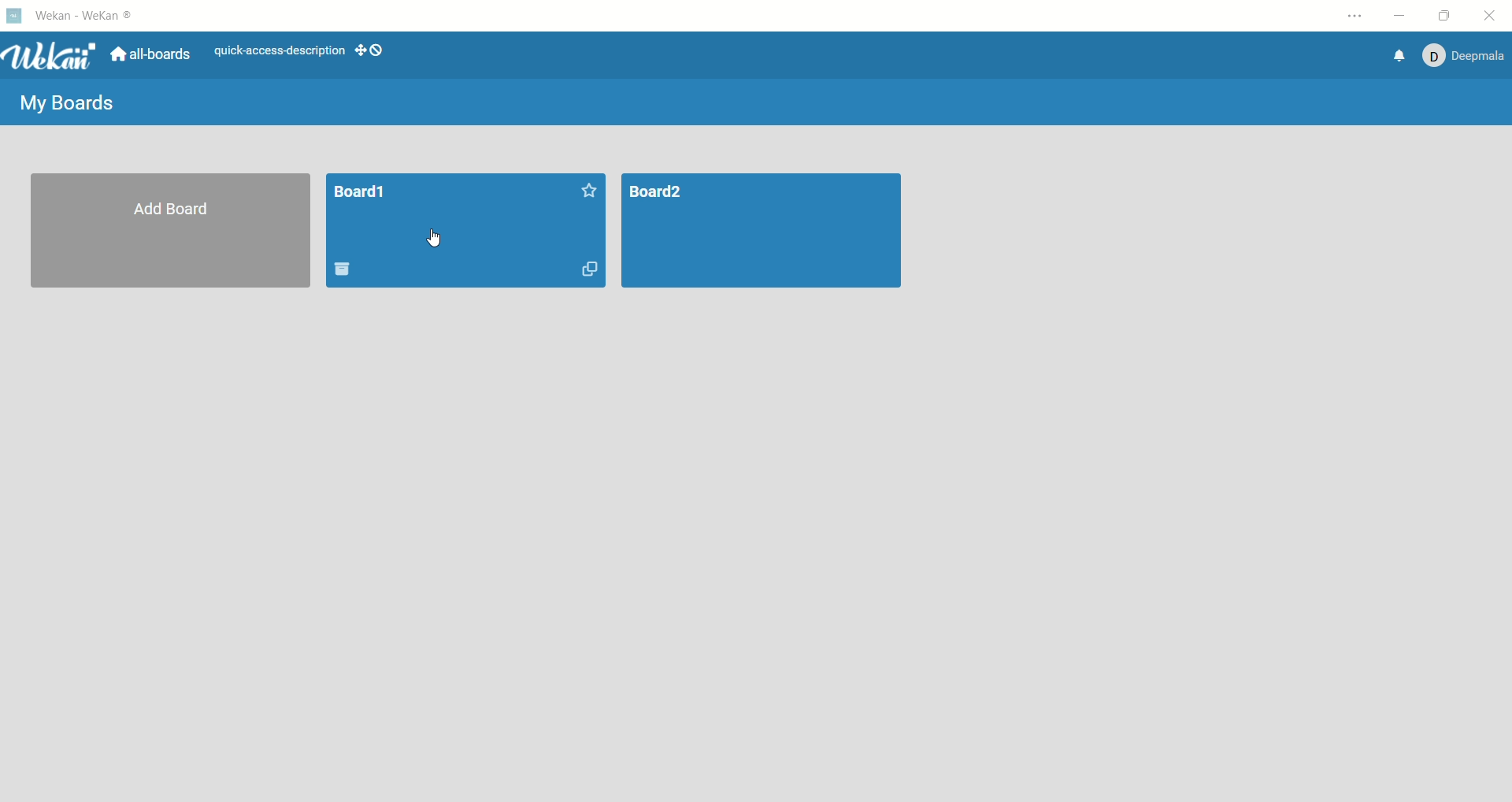  What do you see at coordinates (172, 233) in the screenshot?
I see `add board` at bounding box center [172, 233].